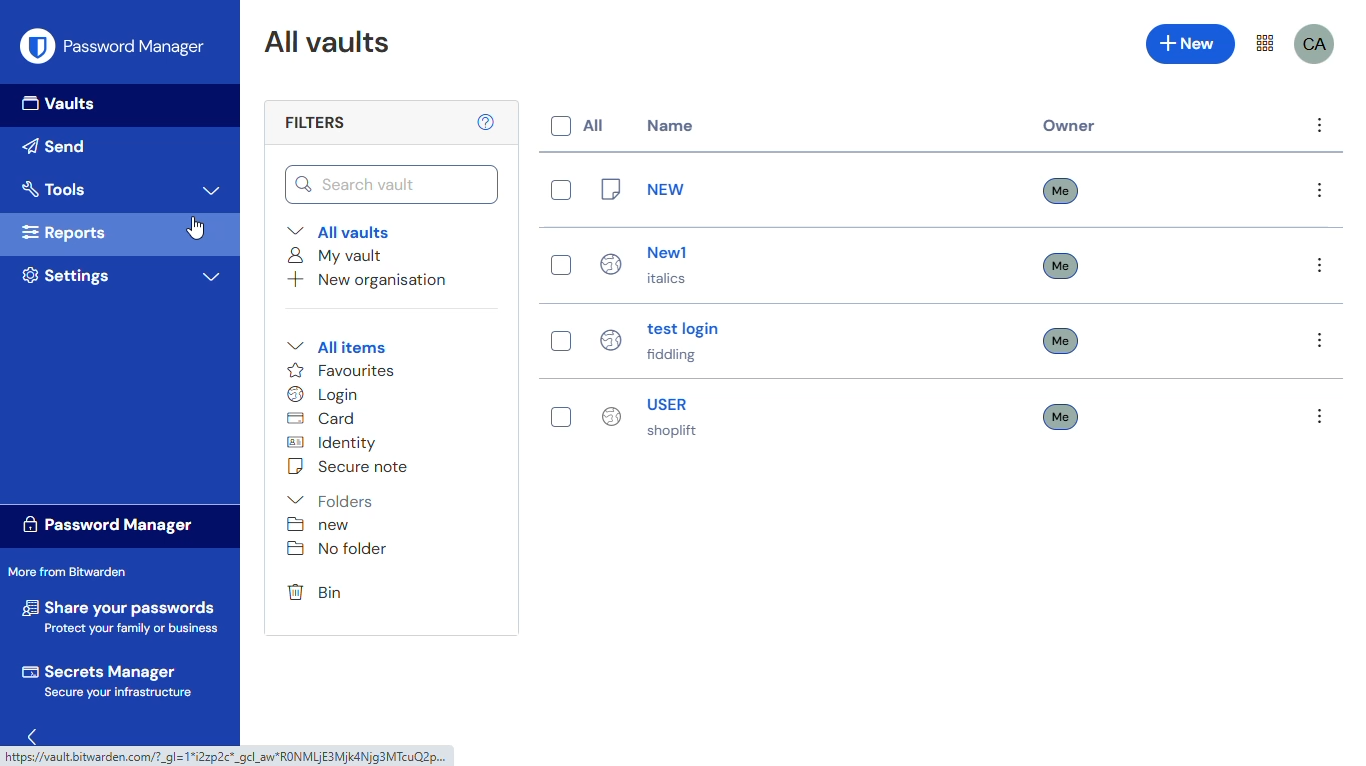  I want to click on owner, so click(1068, 126).